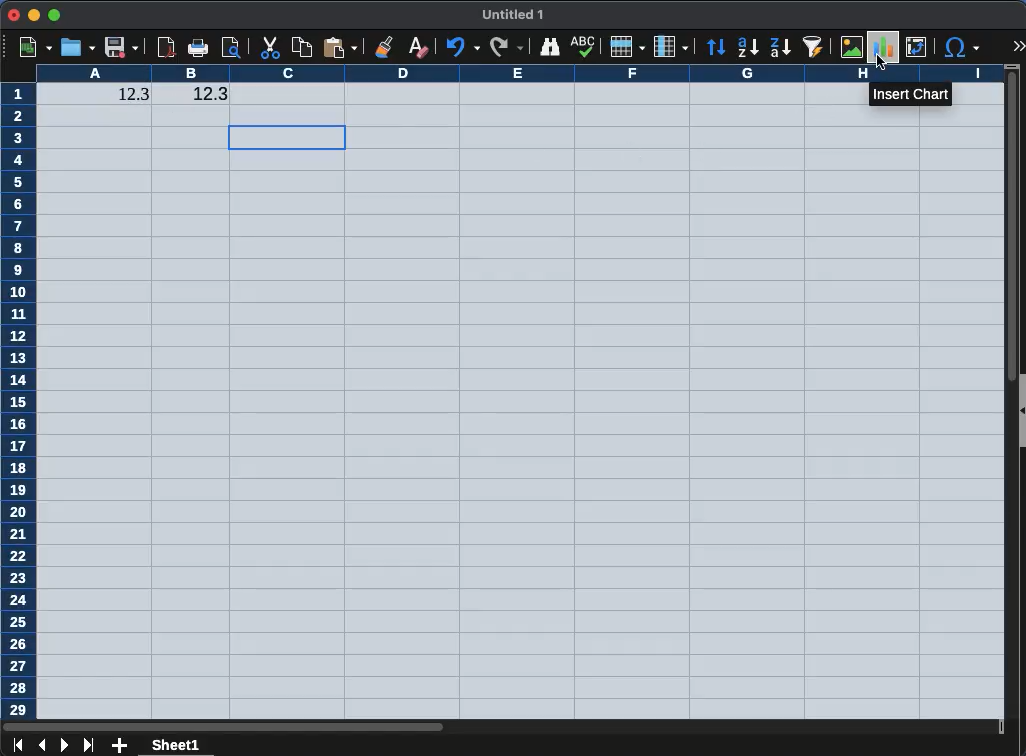 Image resolution: width=1026 pixels, height=756 pixels. What do you see at coordinates (716, 47) in the screenshot?
I see `sort` at bounding box center [716, 47].